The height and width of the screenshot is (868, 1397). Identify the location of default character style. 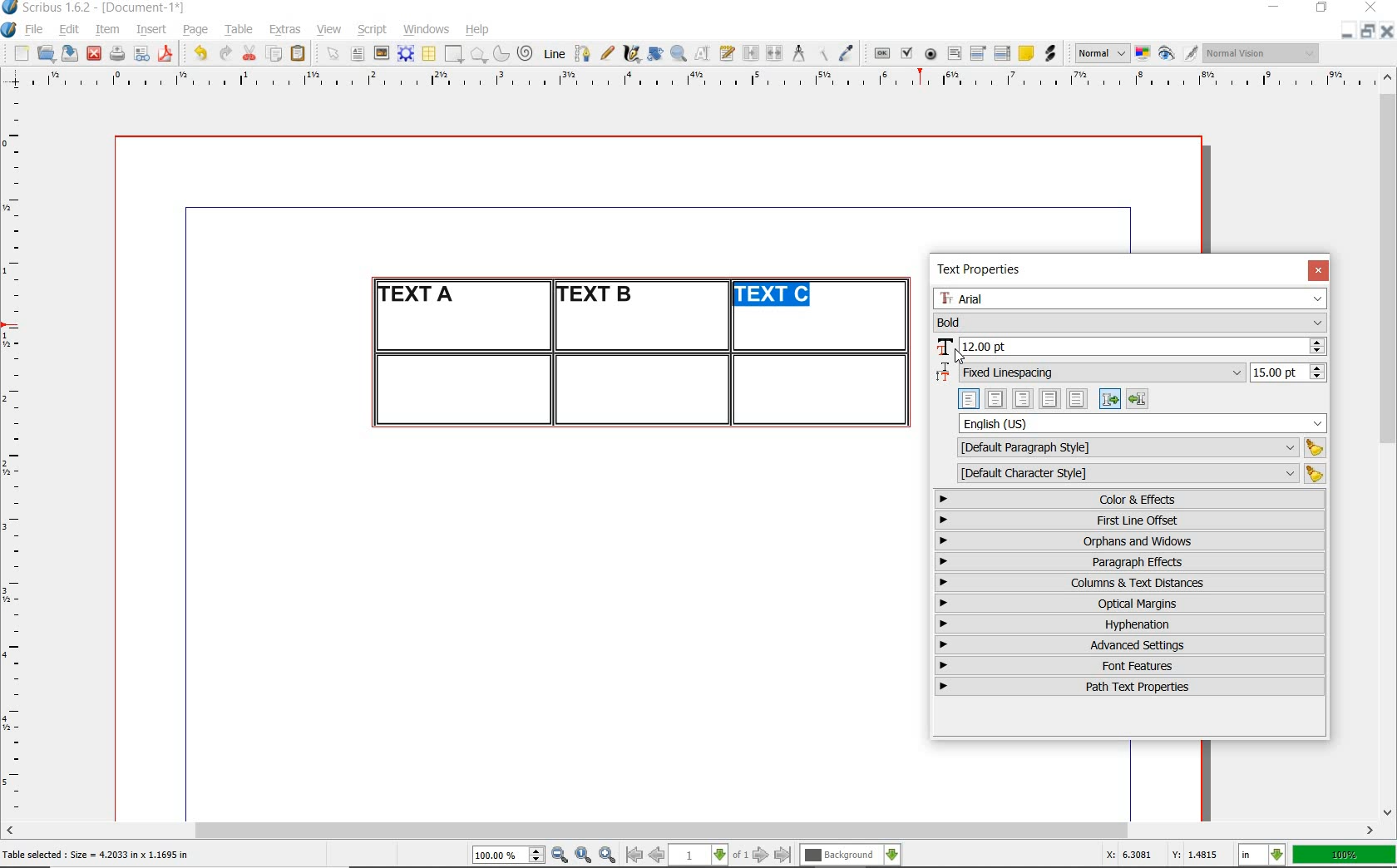
(1136, 474).